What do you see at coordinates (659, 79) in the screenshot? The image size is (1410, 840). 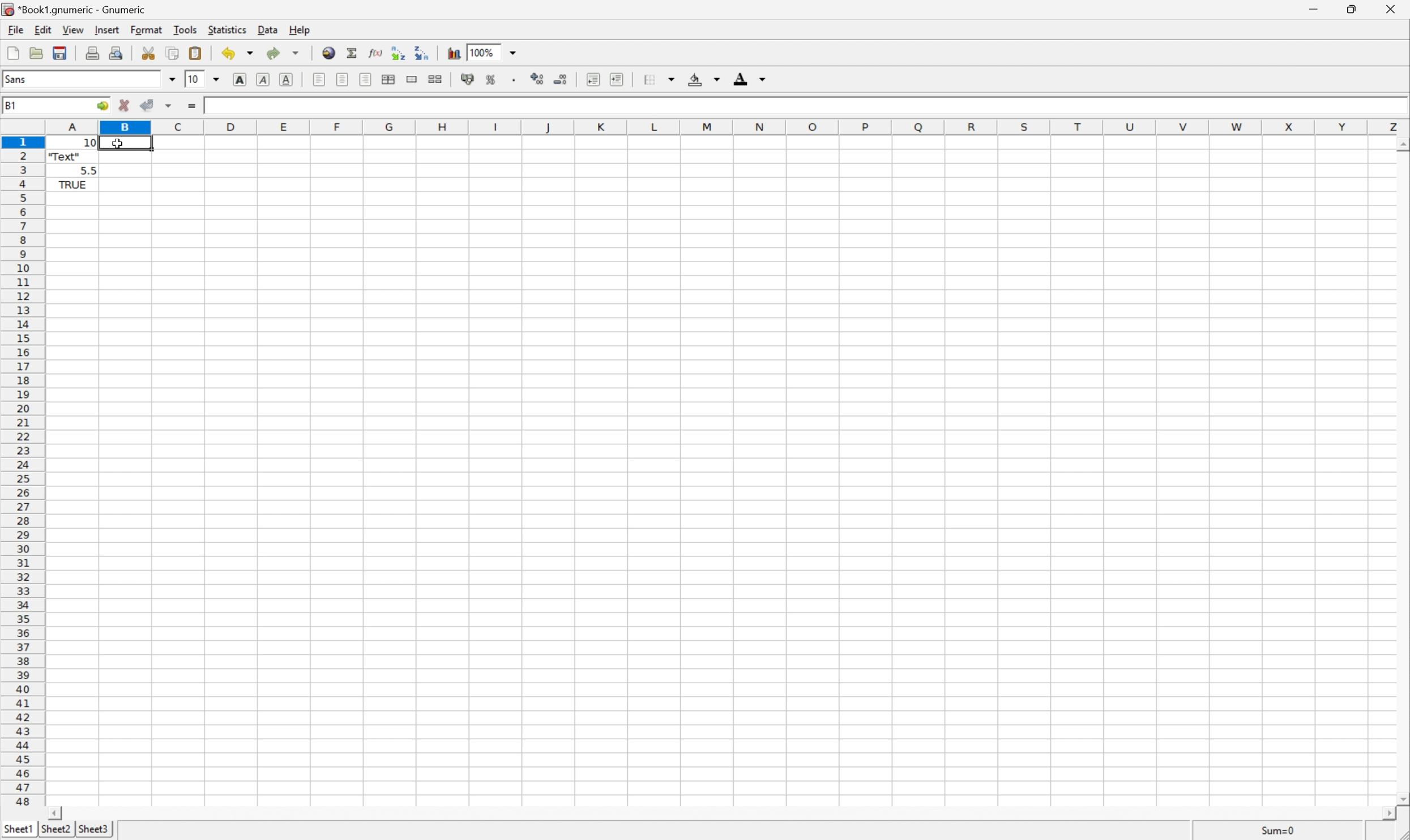 I see `Borders` at bounding box center [659, 79].